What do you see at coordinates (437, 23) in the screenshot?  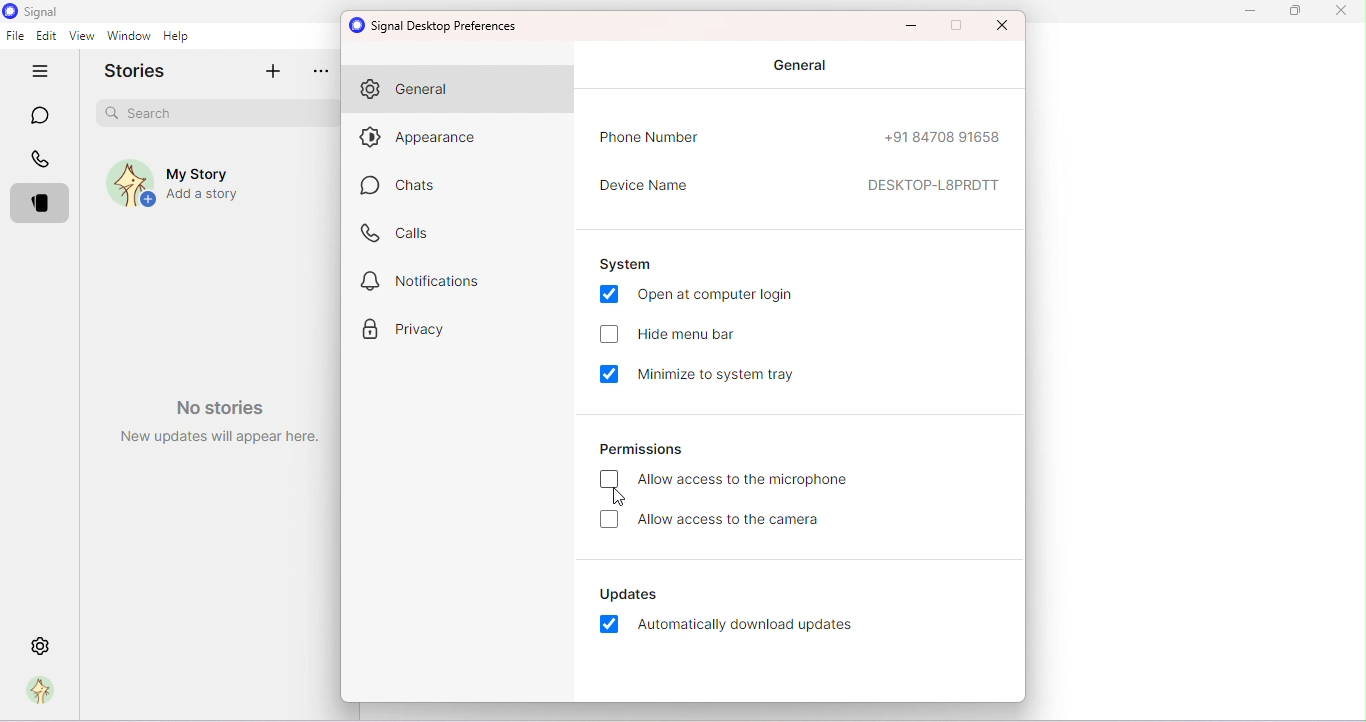 I see `Signal desktop preferences` at bounding box center [437, 23].